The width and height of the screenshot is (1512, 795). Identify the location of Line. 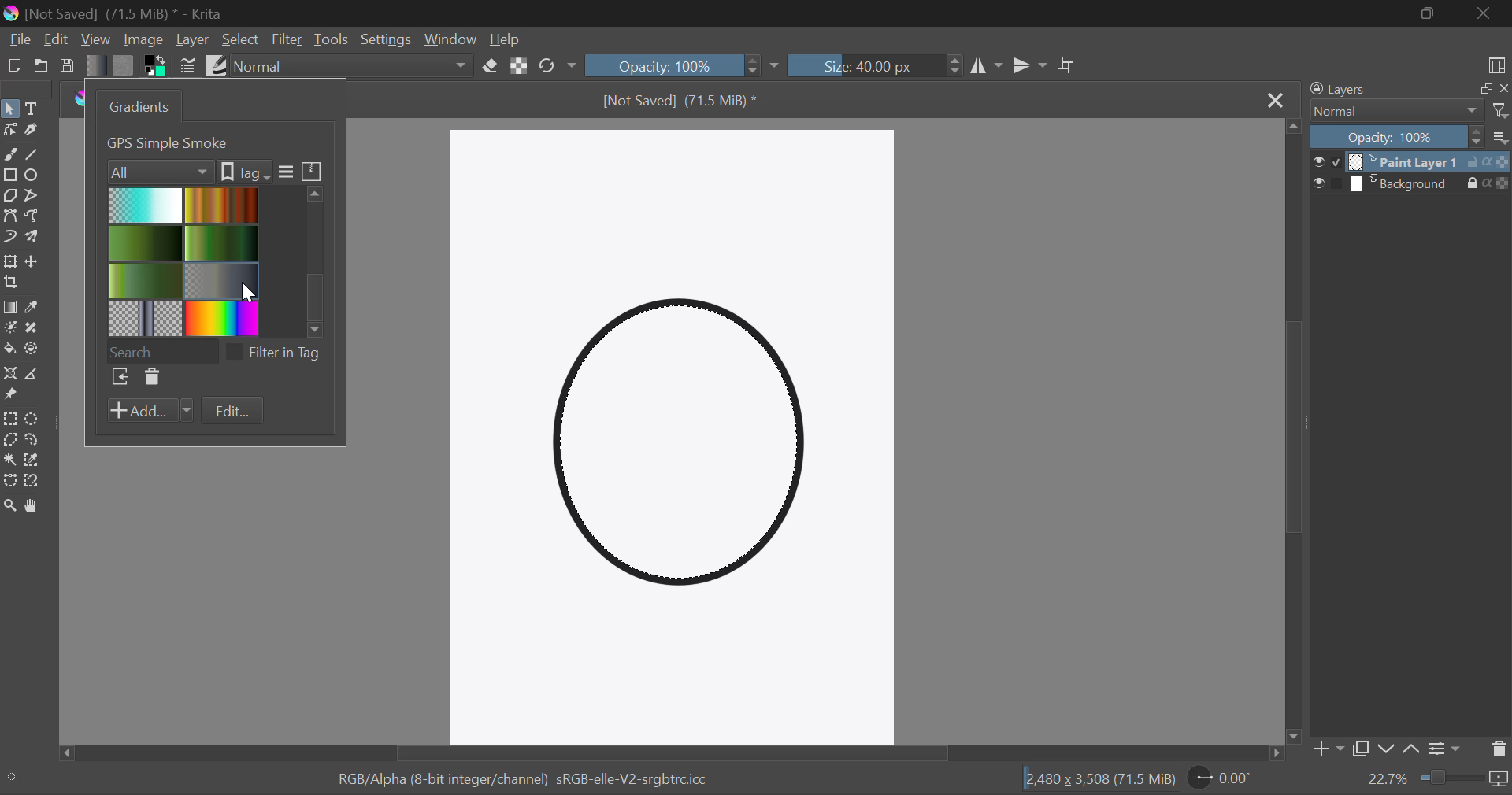
(34, 155).